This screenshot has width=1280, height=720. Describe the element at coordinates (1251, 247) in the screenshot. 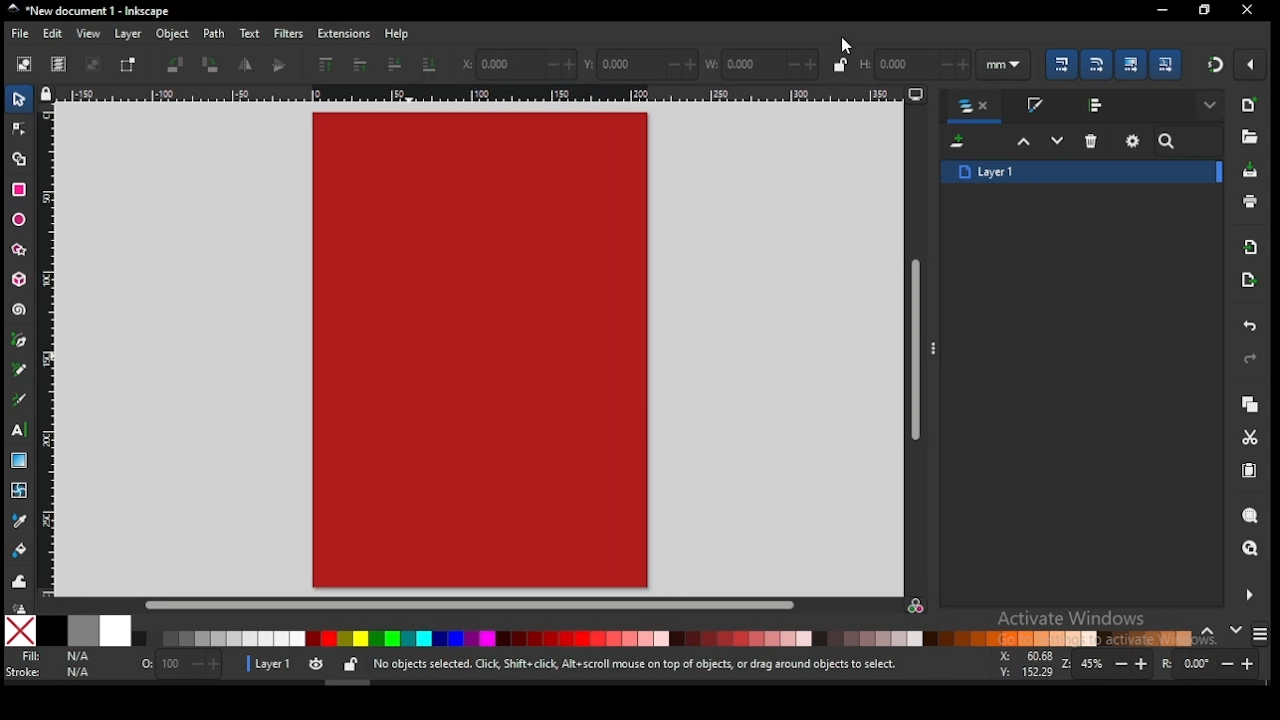

I see `import` at that location.